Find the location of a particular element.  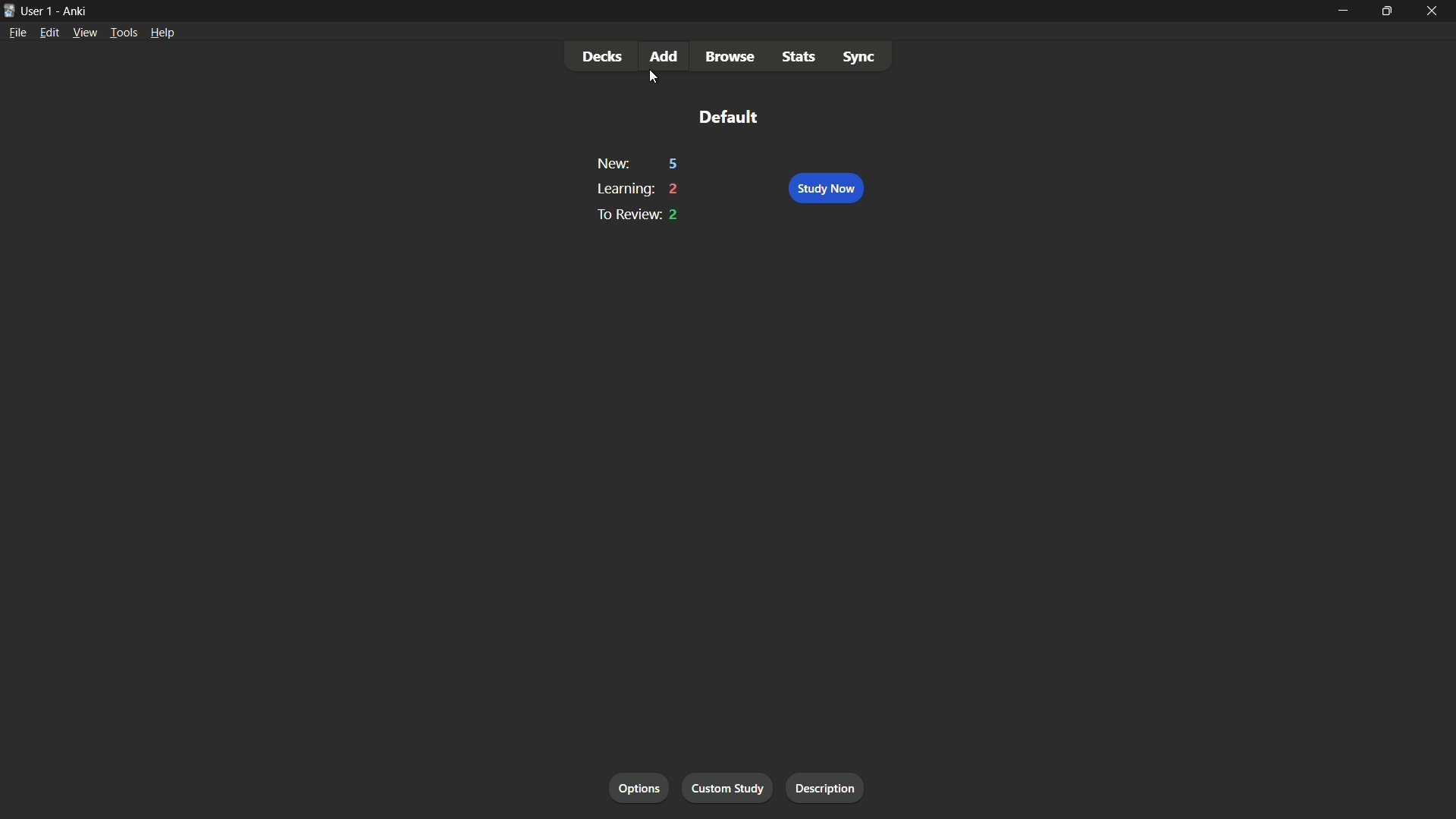

tools menu is located at coordinates (124, 33).